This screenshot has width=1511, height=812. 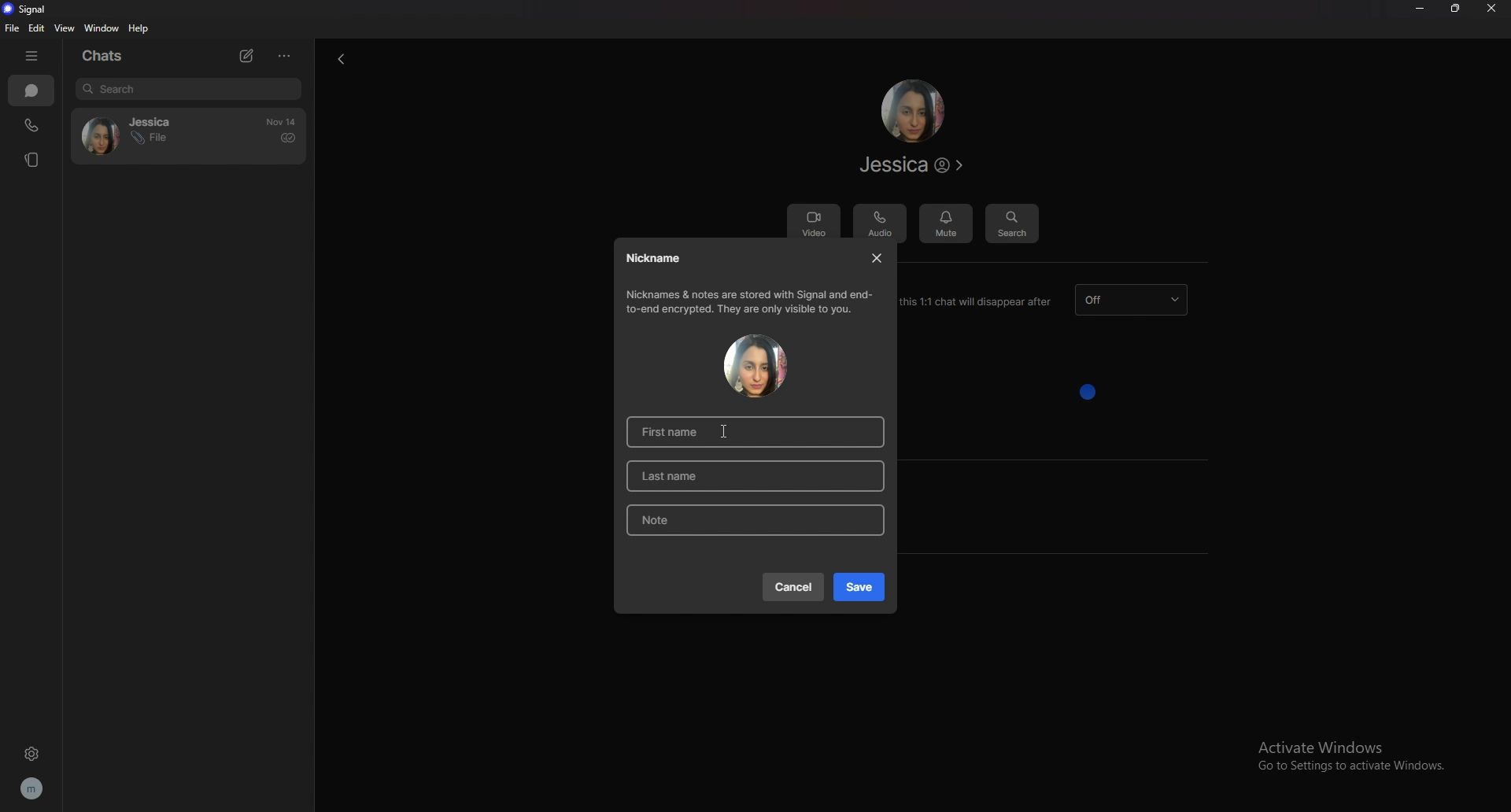 What do you see at coordinates (880, 257) in the screenshot?
I see `close` at bounding box center [880, 257].